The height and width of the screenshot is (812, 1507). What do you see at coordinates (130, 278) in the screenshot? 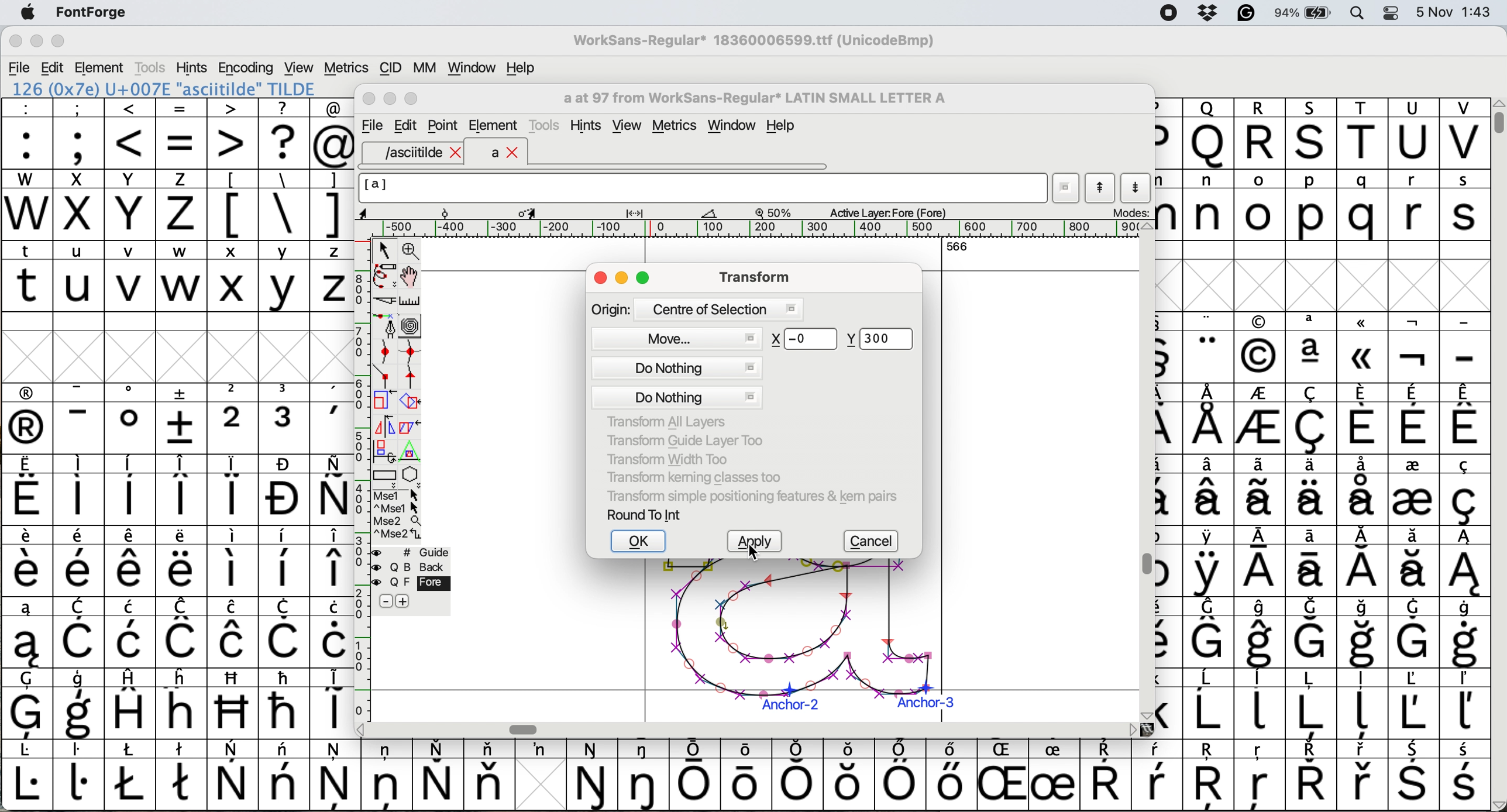
I see `v` at bounding box center [130, 278].